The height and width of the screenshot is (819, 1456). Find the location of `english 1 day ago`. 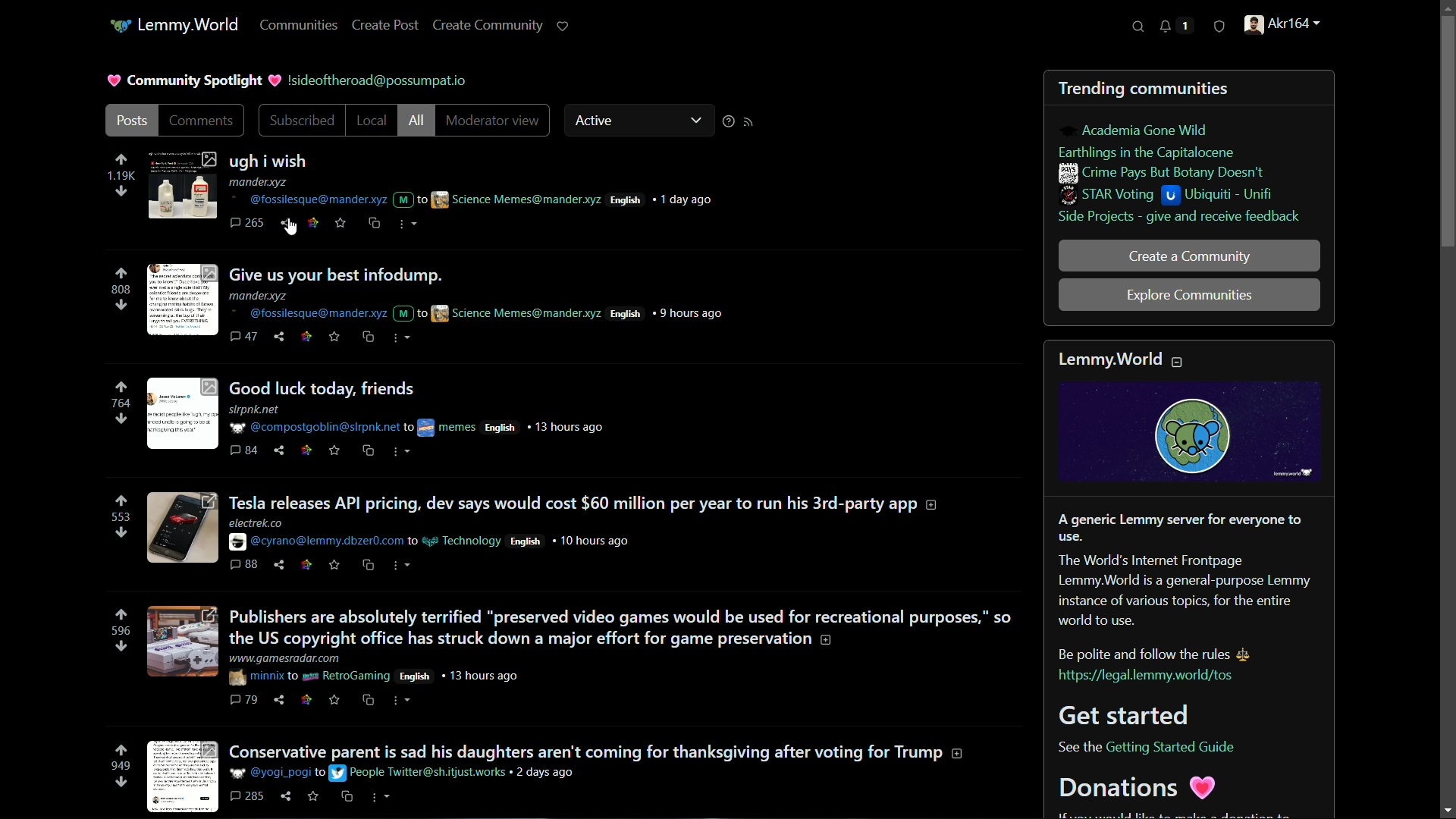

english 1 day ago is located at coordinates (666, 199).